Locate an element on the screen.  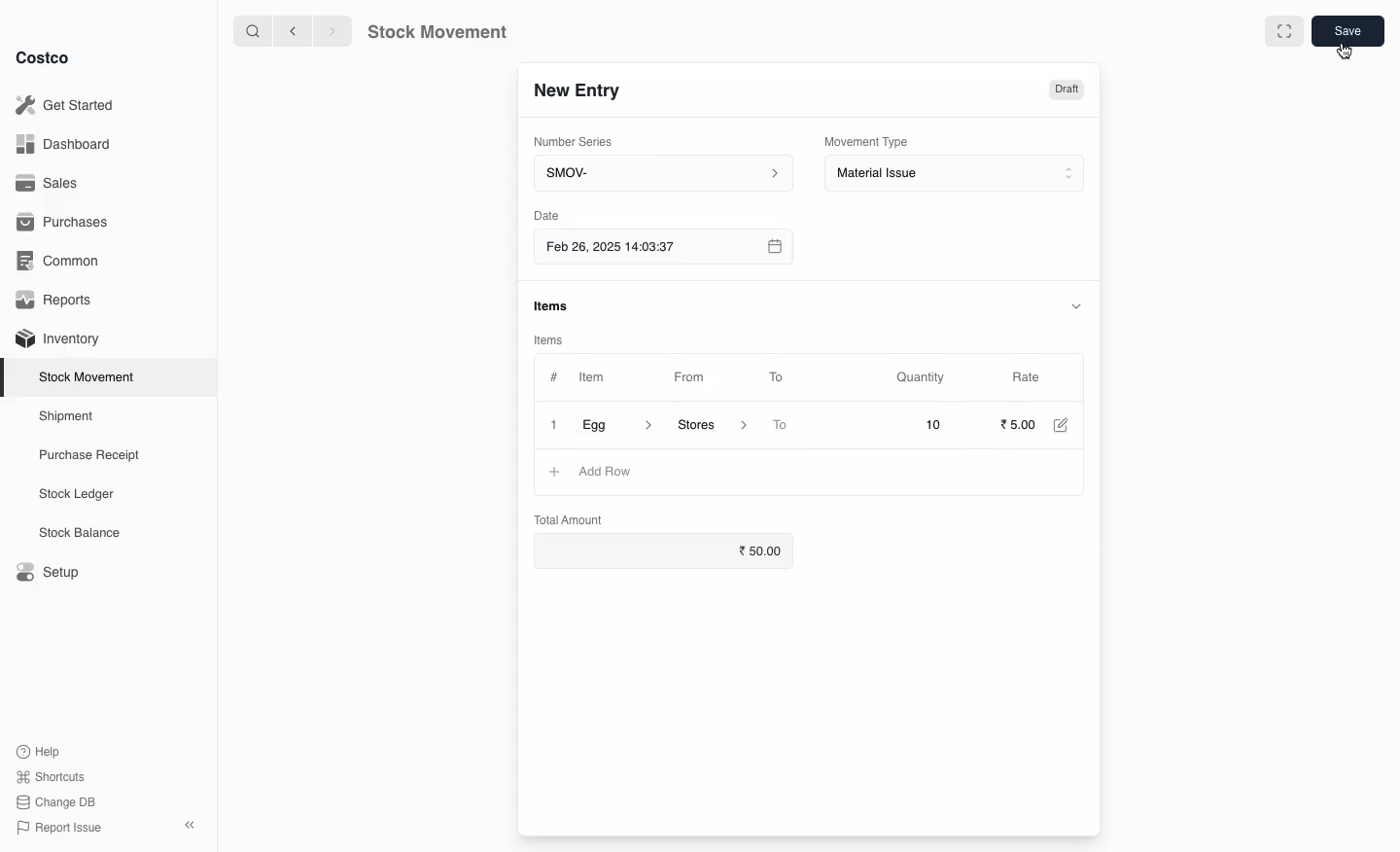
forward is located at coordinates (328, 30).